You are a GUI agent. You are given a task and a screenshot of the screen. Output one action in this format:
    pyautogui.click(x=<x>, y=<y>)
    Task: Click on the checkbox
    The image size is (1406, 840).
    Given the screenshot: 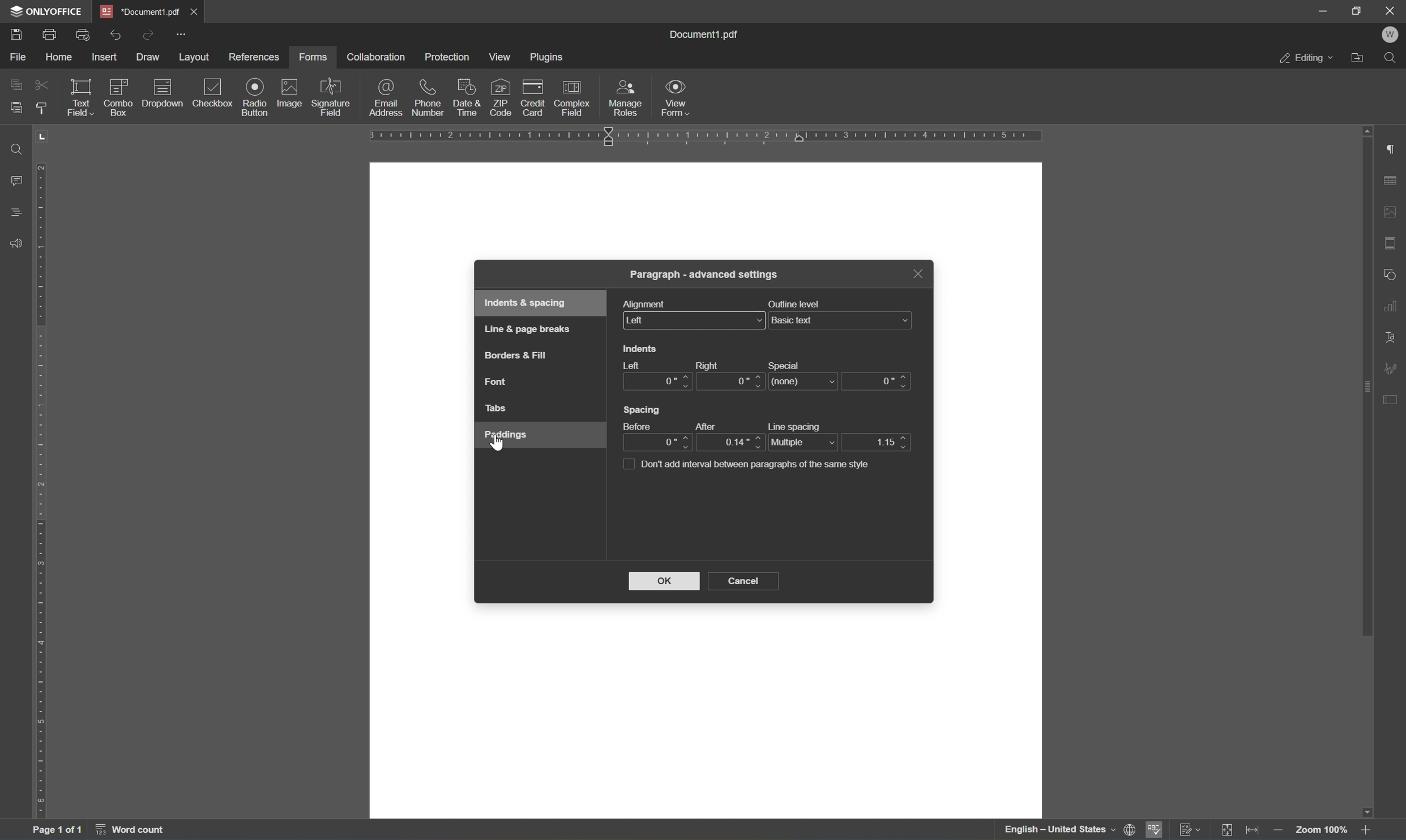 What is the action you would take?
    pyautogui.click(x=215, y=93)
    